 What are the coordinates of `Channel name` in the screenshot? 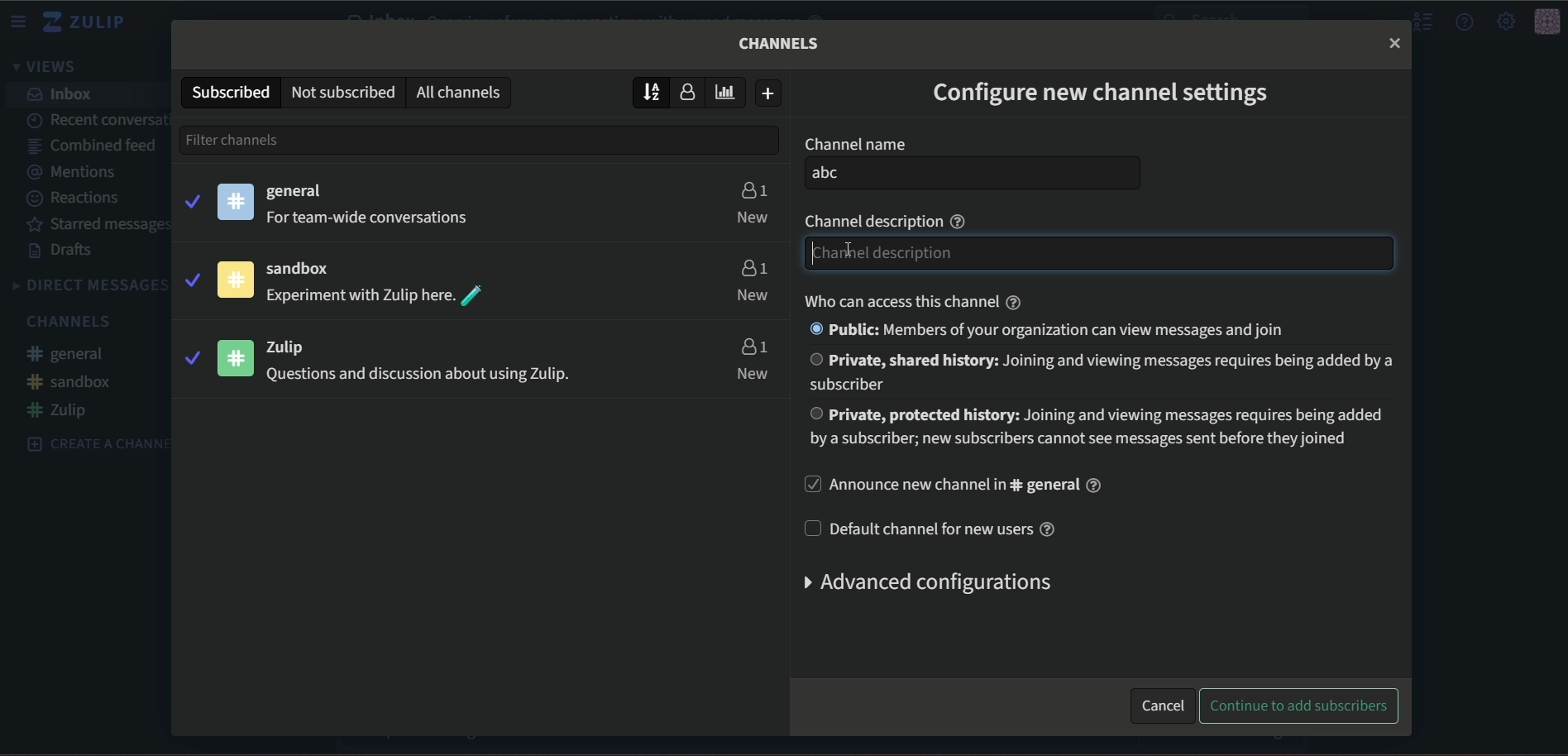 It's located at (857, 141).